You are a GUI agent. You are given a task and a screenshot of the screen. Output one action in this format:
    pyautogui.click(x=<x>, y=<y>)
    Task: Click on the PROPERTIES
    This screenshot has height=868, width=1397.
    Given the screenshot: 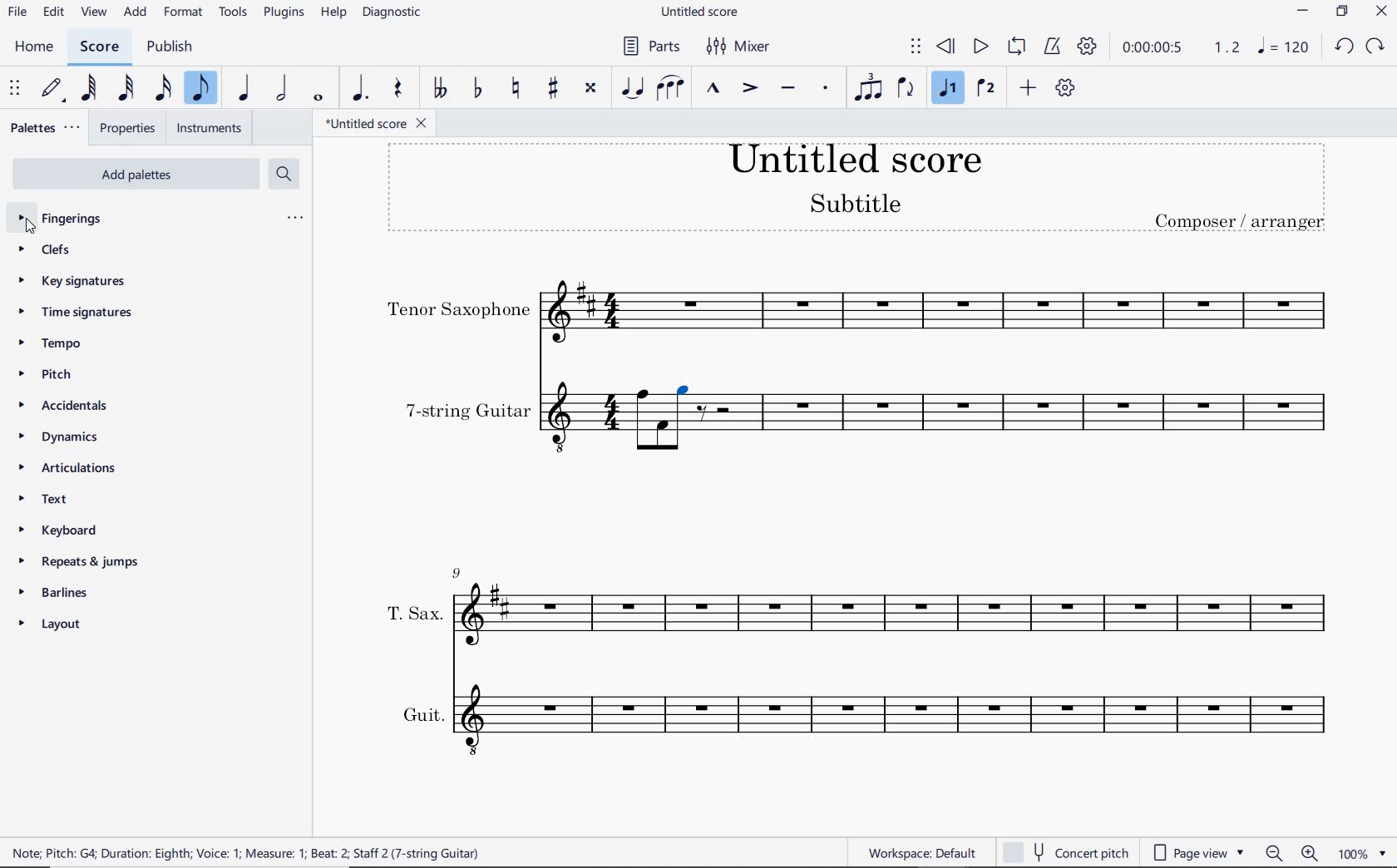 What is the action you would take?
    pyautogui.click(x=131, y=127)
    